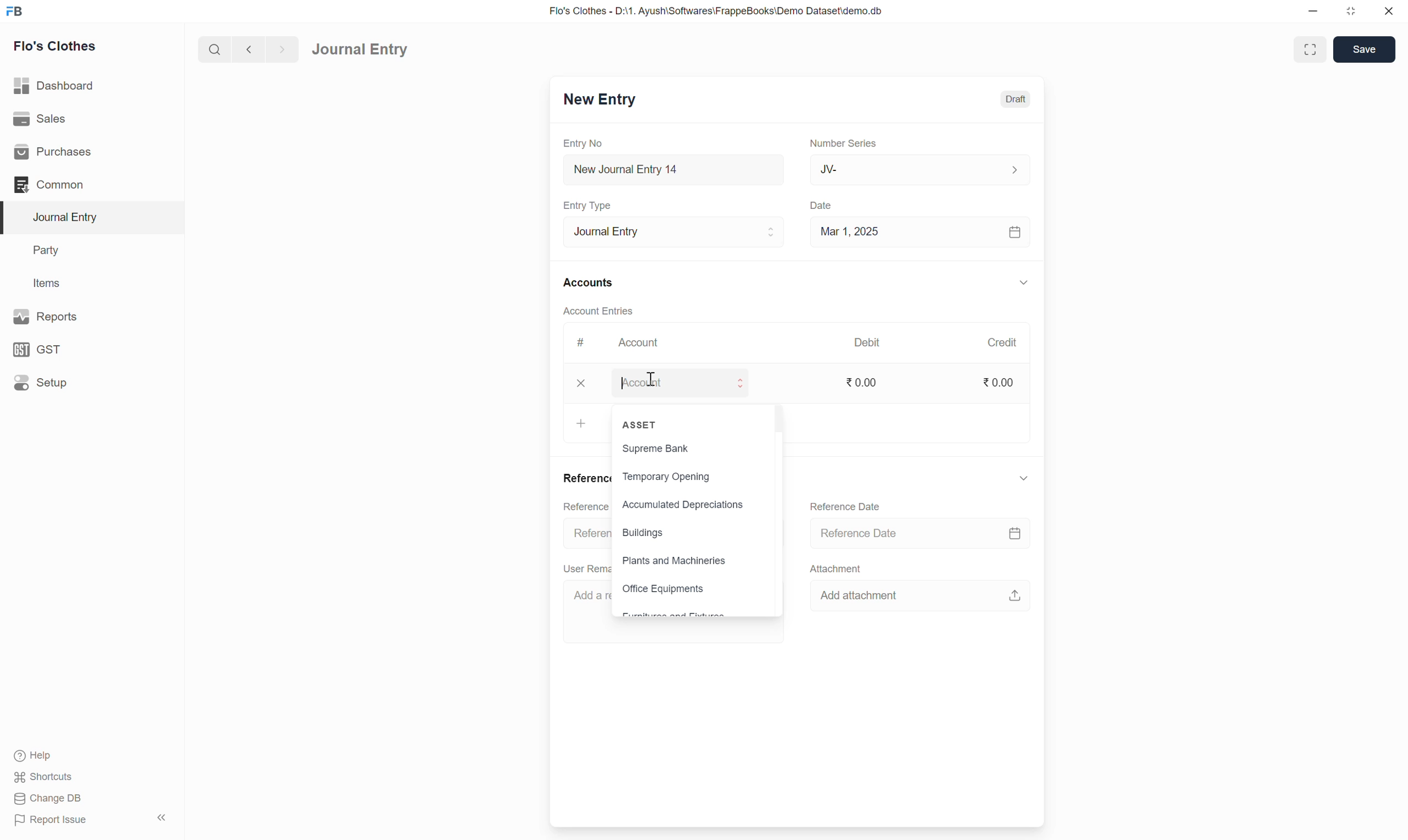 Image resolution: width=1408 pixels, height=840 pixels. I want to click on cursor, so click(650, 379).